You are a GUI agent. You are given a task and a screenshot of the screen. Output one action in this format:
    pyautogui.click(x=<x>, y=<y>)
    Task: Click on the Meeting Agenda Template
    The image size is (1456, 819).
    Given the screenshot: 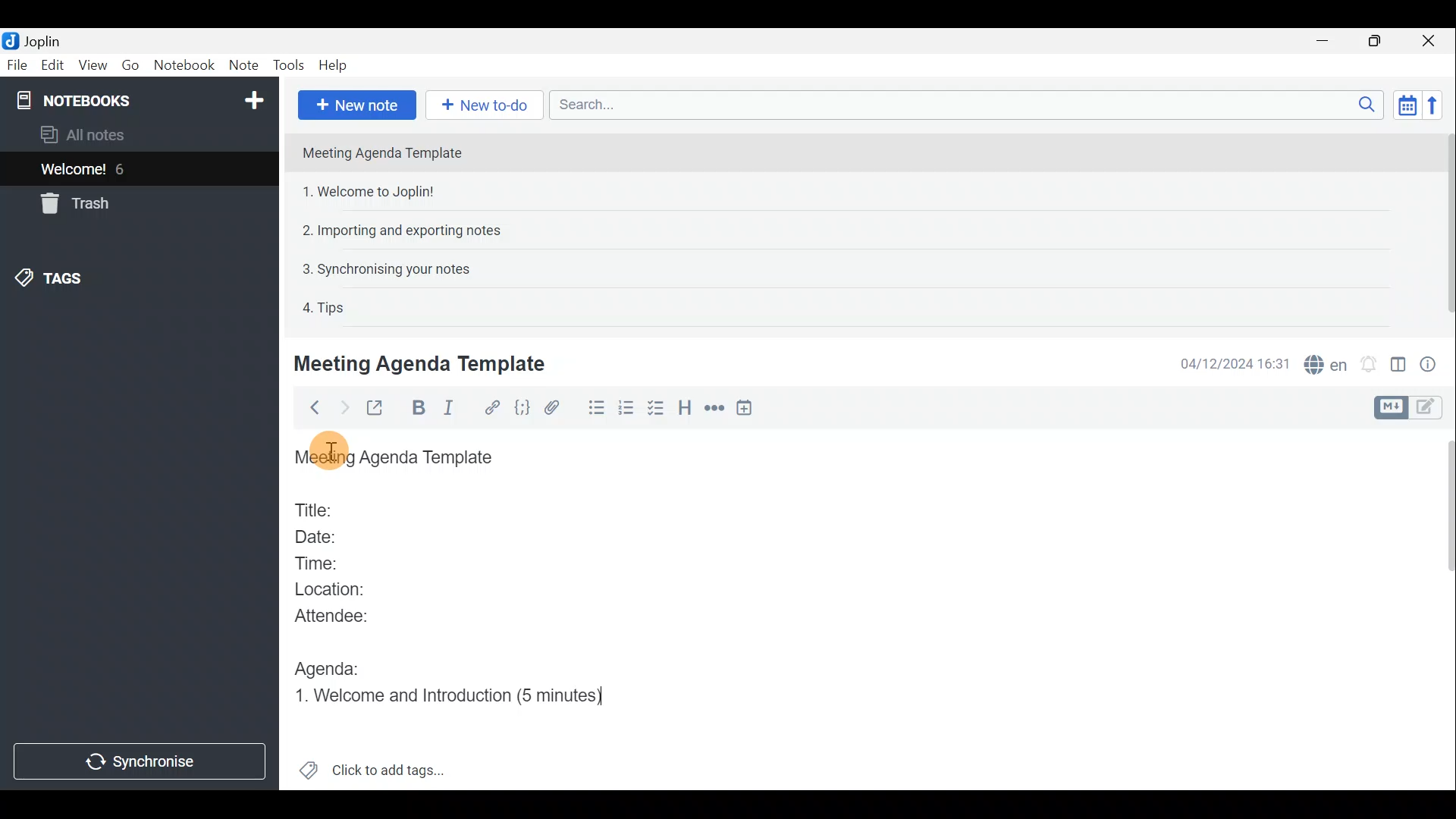 What is the action you would take?
    pyautogui.click(x=422, y=363)
    